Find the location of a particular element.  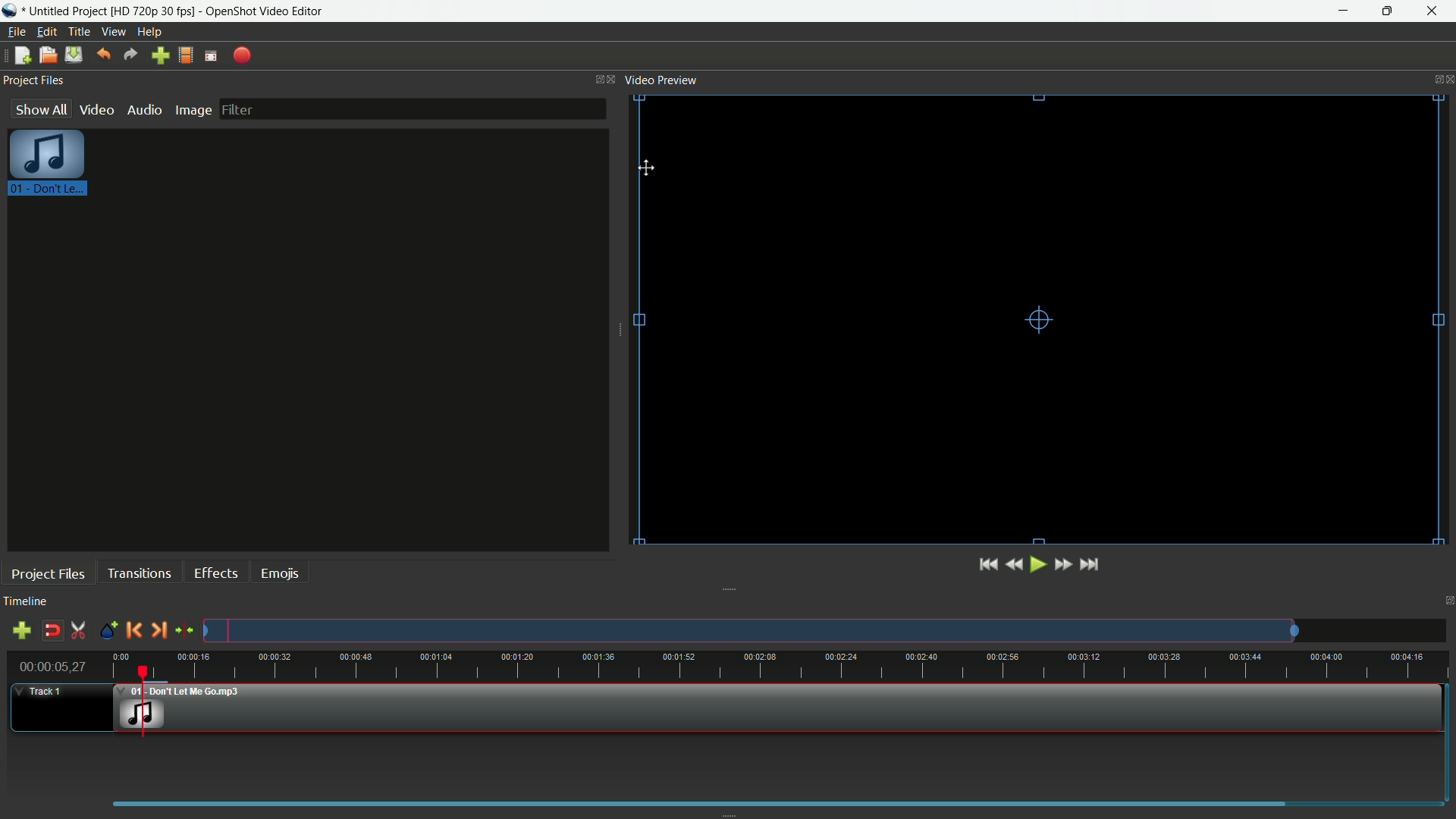

disable snap is located at coordinates (52, 631).